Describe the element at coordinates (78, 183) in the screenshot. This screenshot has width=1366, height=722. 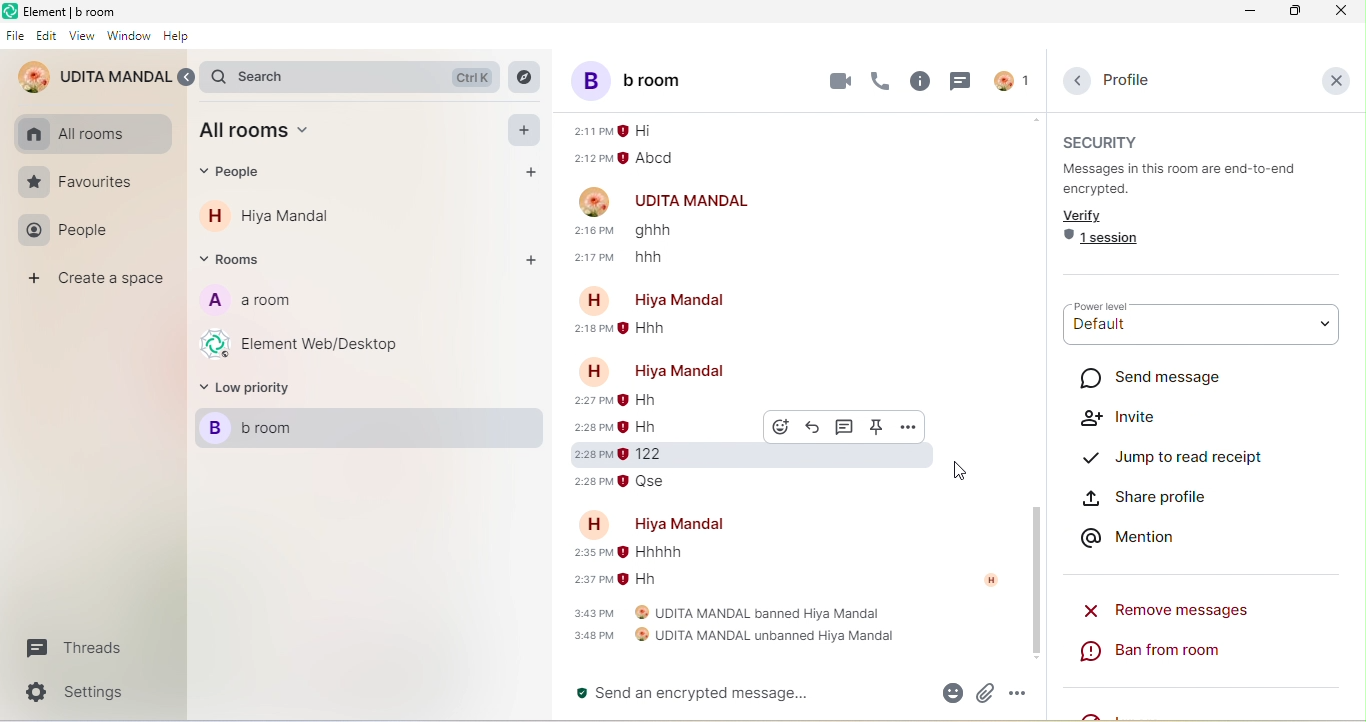
I see `favourites` at that location.